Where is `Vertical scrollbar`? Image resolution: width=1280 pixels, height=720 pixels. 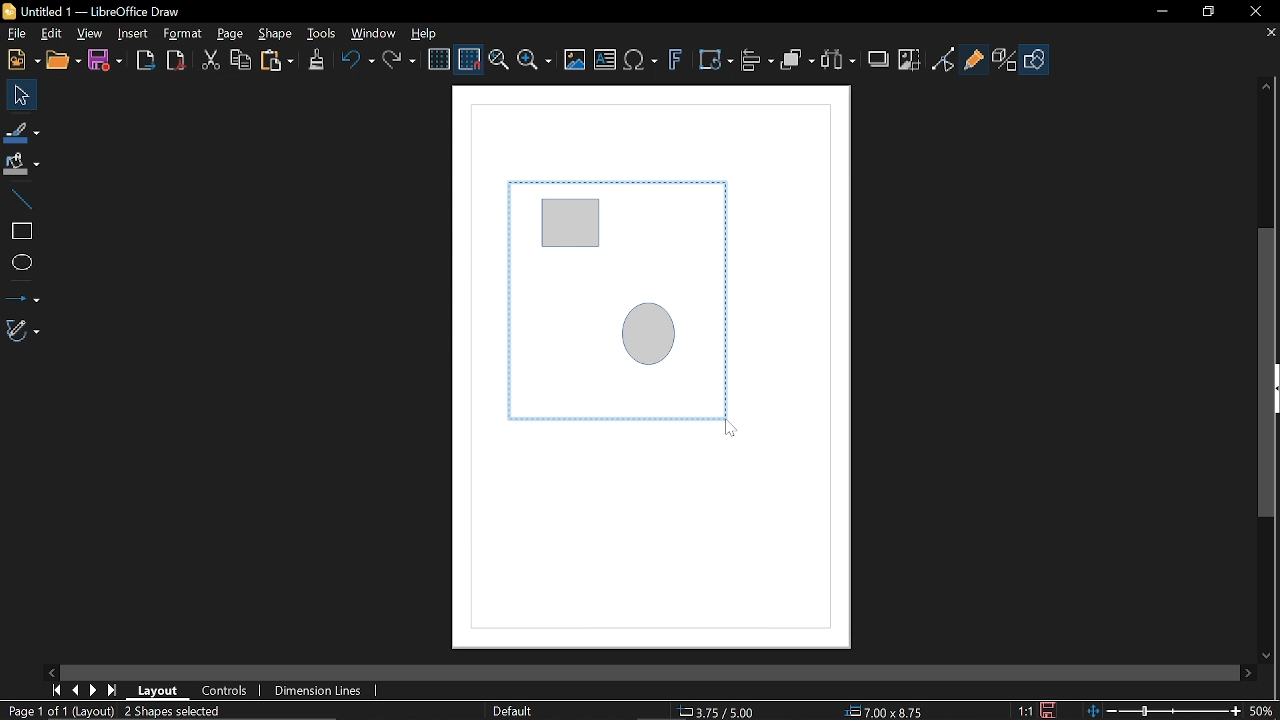 Vertical scrollbar is located at coordinates (1267, 374).